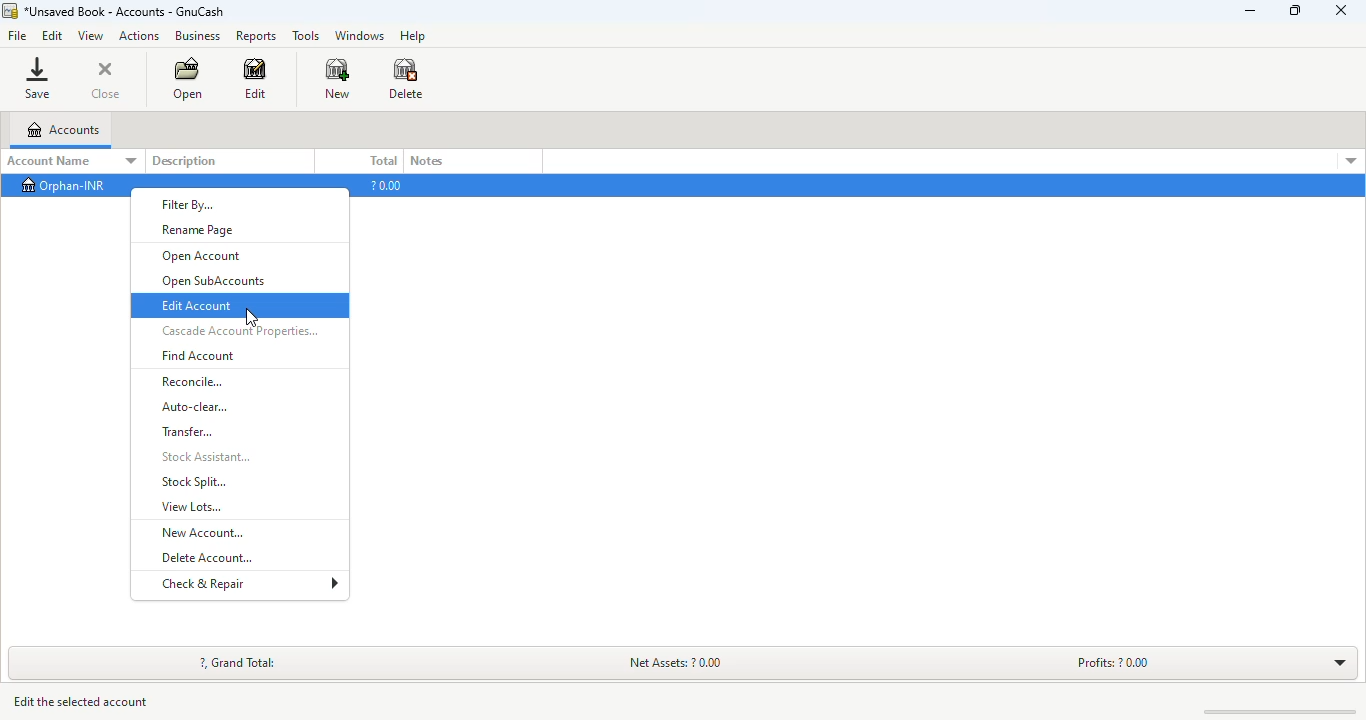 The height and width of the screenshot is (720, 1366). I want to click on close, so click(1341, 10).